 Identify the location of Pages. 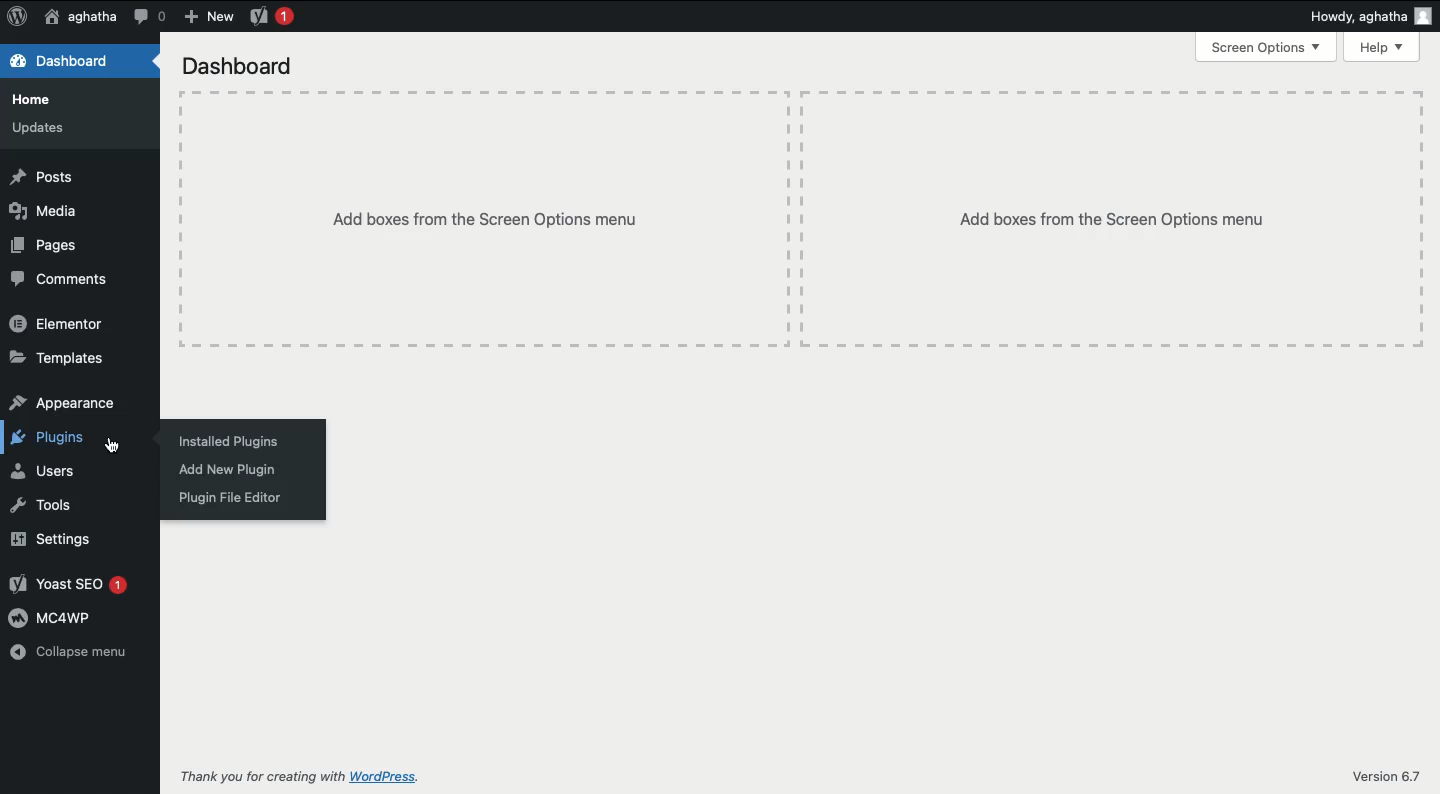
(44, 244).